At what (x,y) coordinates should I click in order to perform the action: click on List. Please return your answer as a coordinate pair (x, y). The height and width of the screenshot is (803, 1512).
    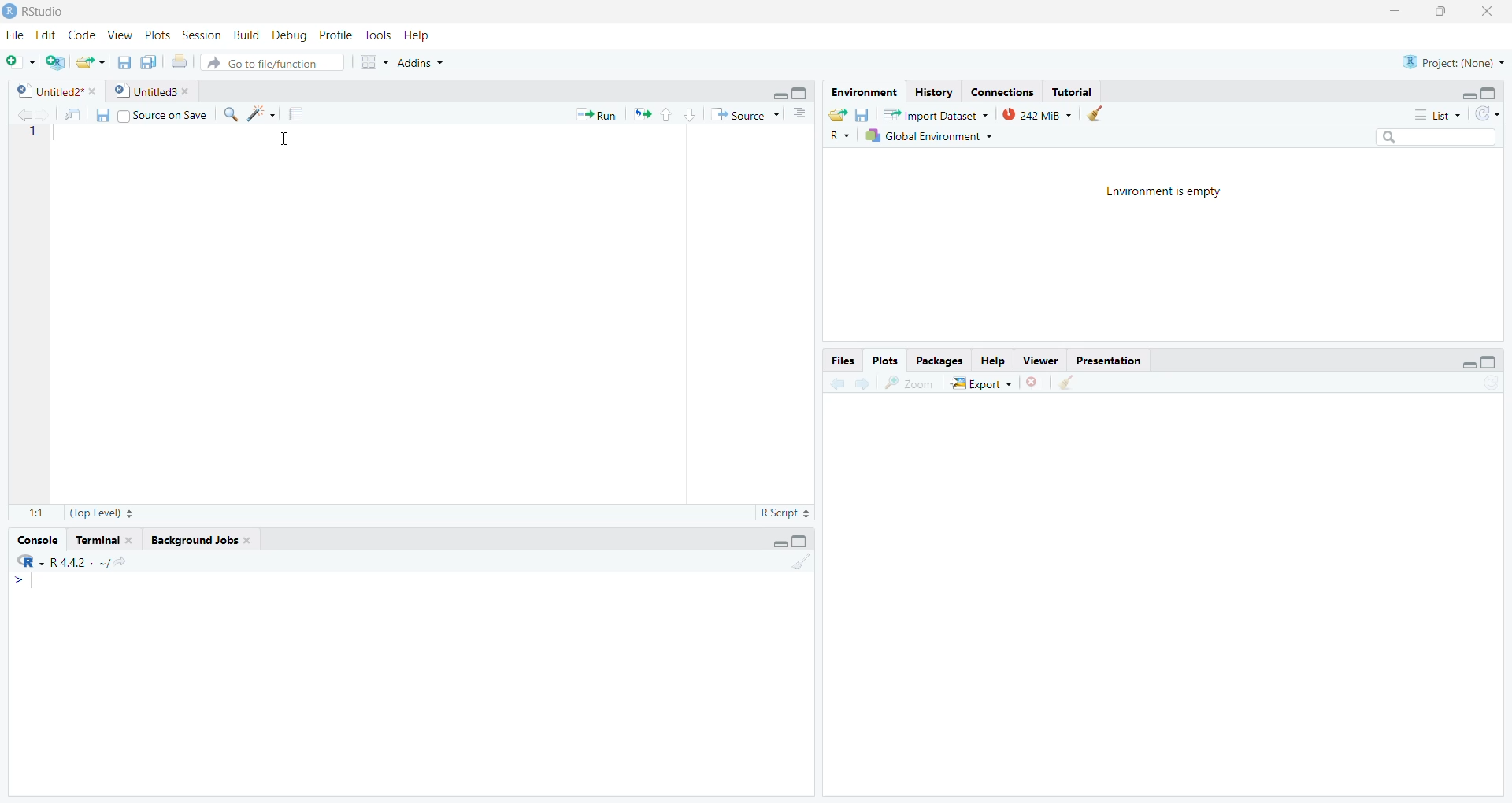
    Looking at the image, I should click on (1440, 115).